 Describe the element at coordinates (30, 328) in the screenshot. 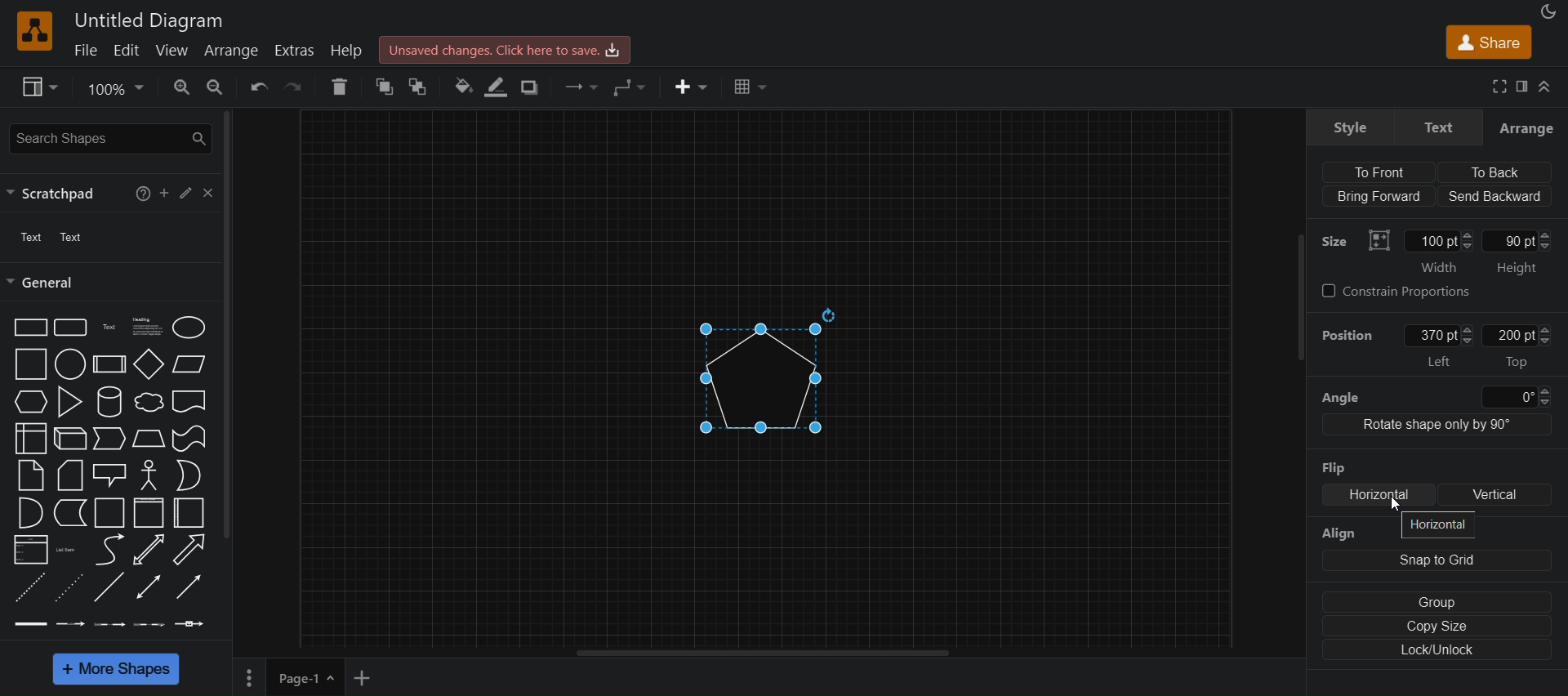

I see `Rectangle` at that location.